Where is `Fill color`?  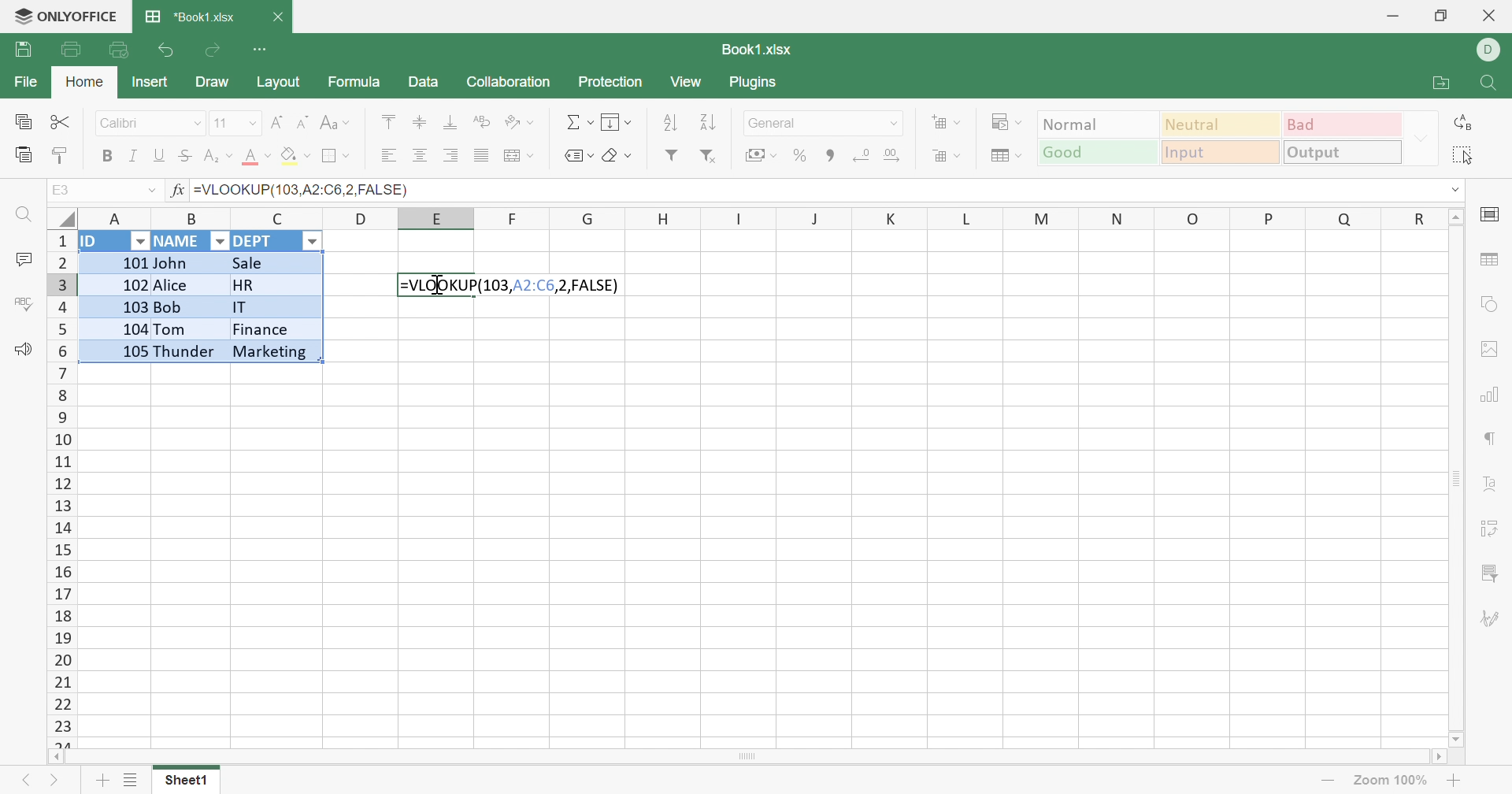
Fill color is located at coordinates (296, 155).